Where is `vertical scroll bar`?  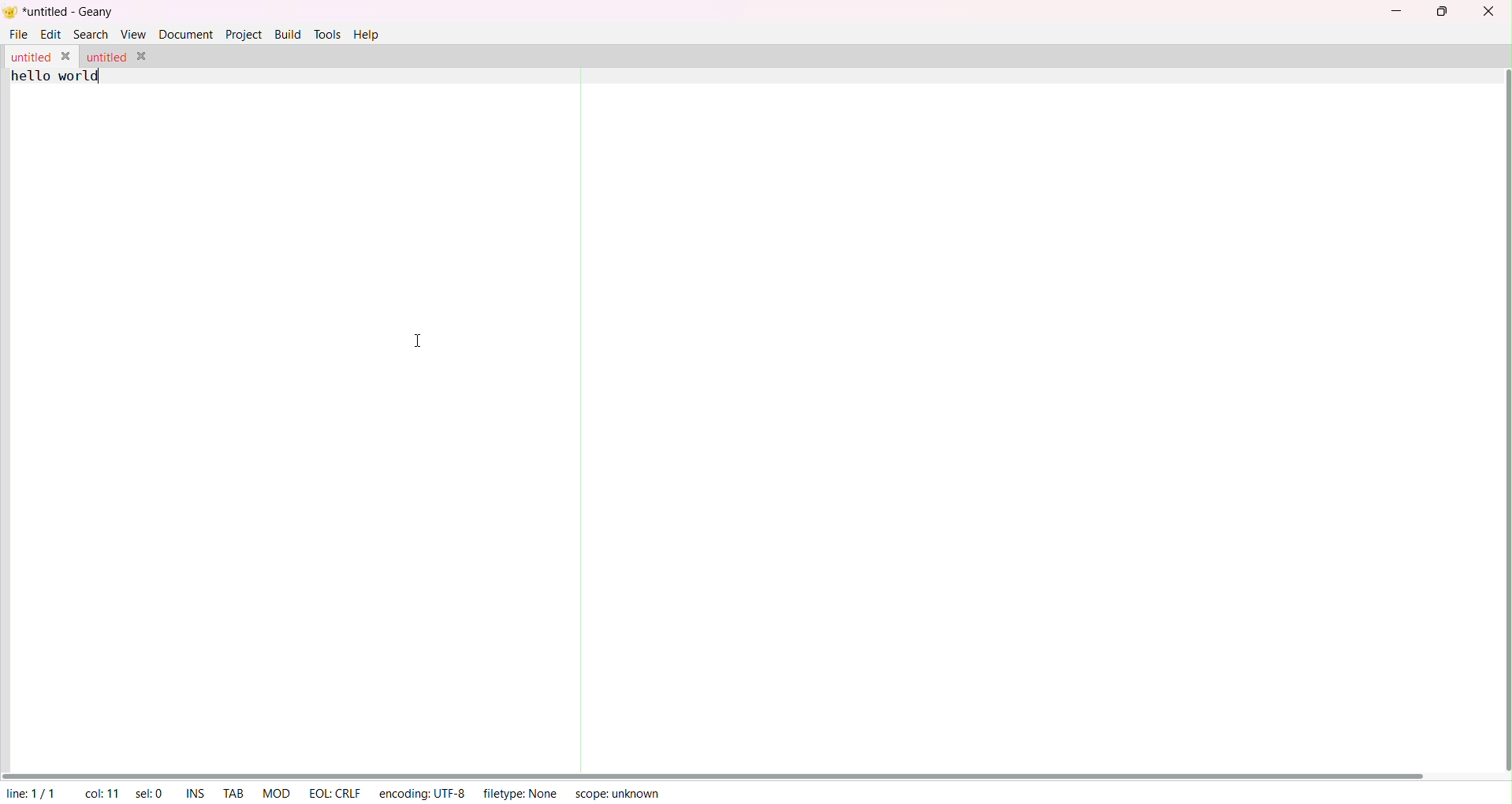 vertical scroll bar is located at coordinates (1503, 418).